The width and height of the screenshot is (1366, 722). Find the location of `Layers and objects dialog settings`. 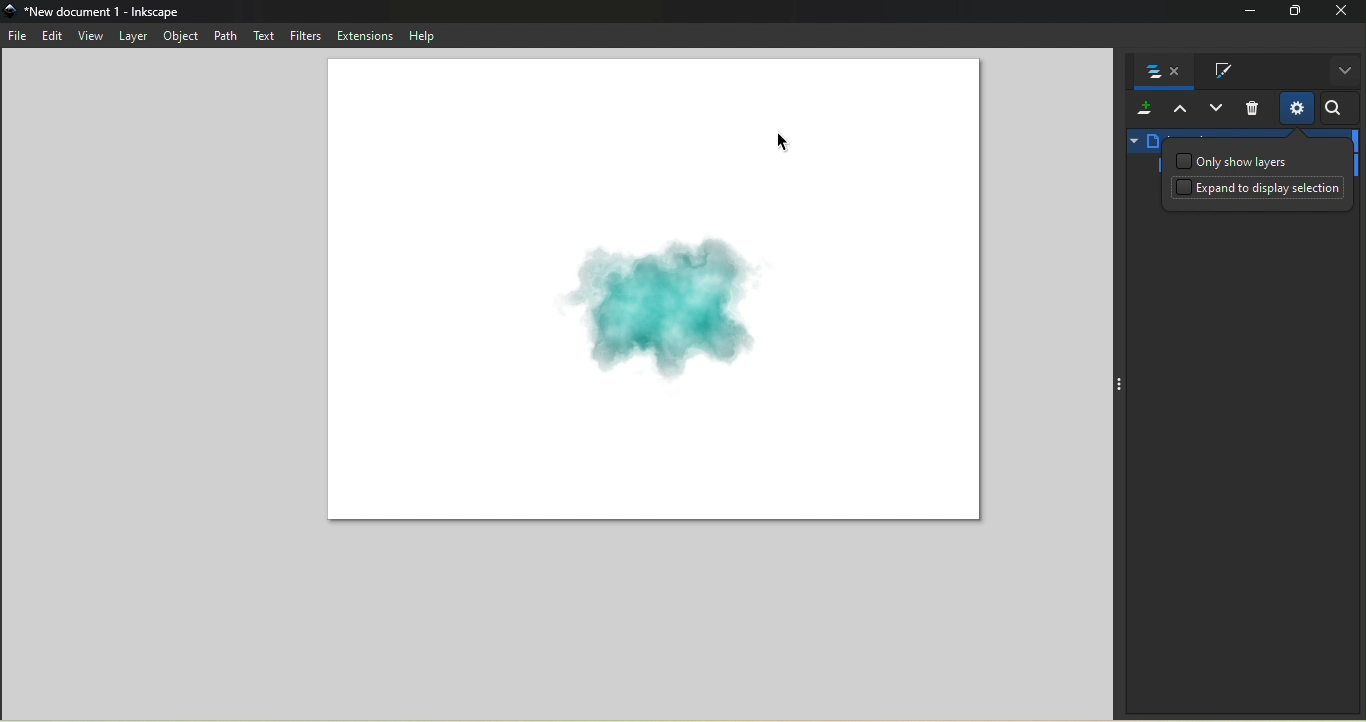

Layers and objects dialog settings is located at coordinates (1296, 108).